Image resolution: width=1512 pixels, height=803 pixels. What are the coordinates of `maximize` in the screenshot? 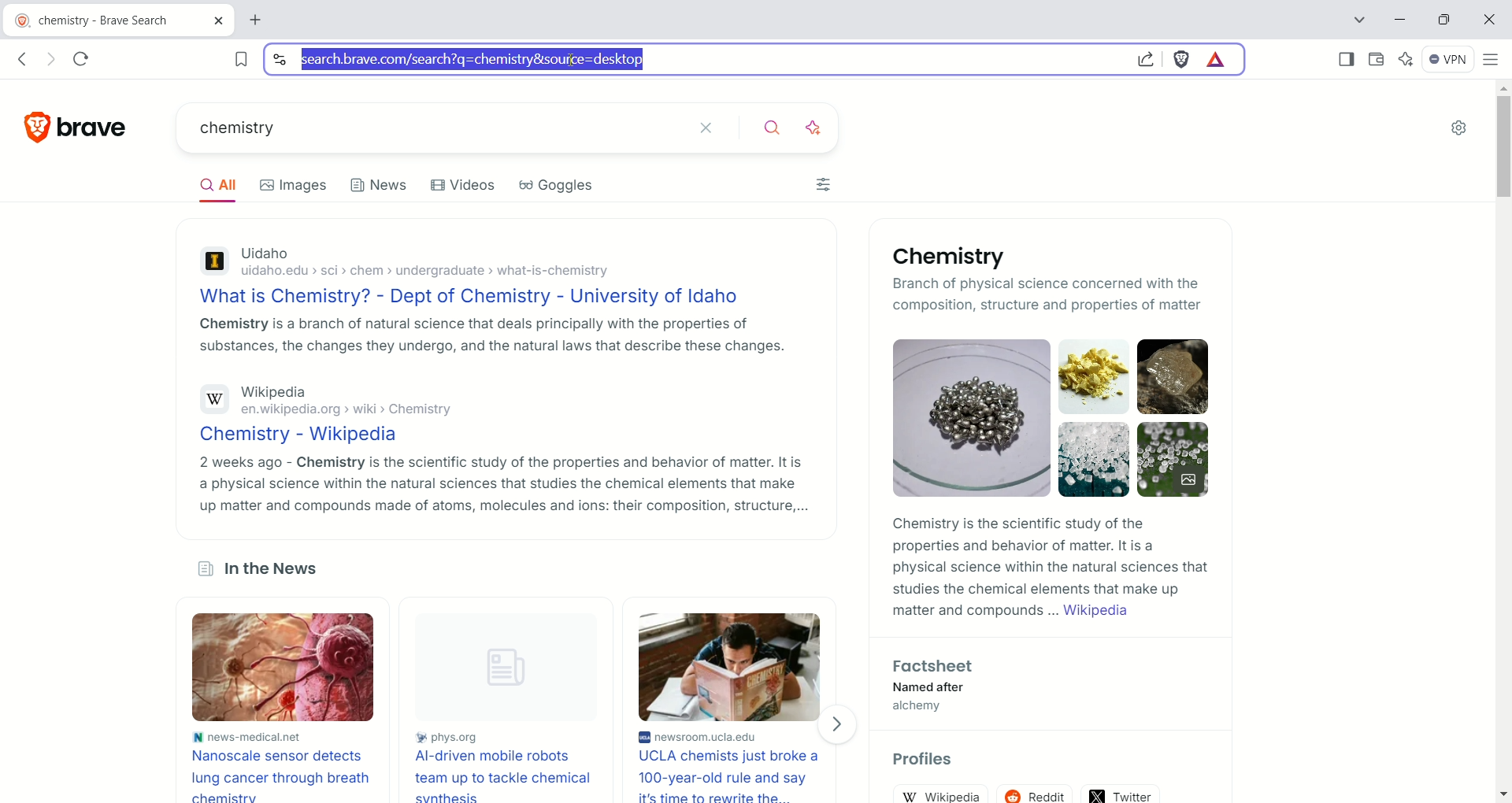 It's located at (1444, 20).